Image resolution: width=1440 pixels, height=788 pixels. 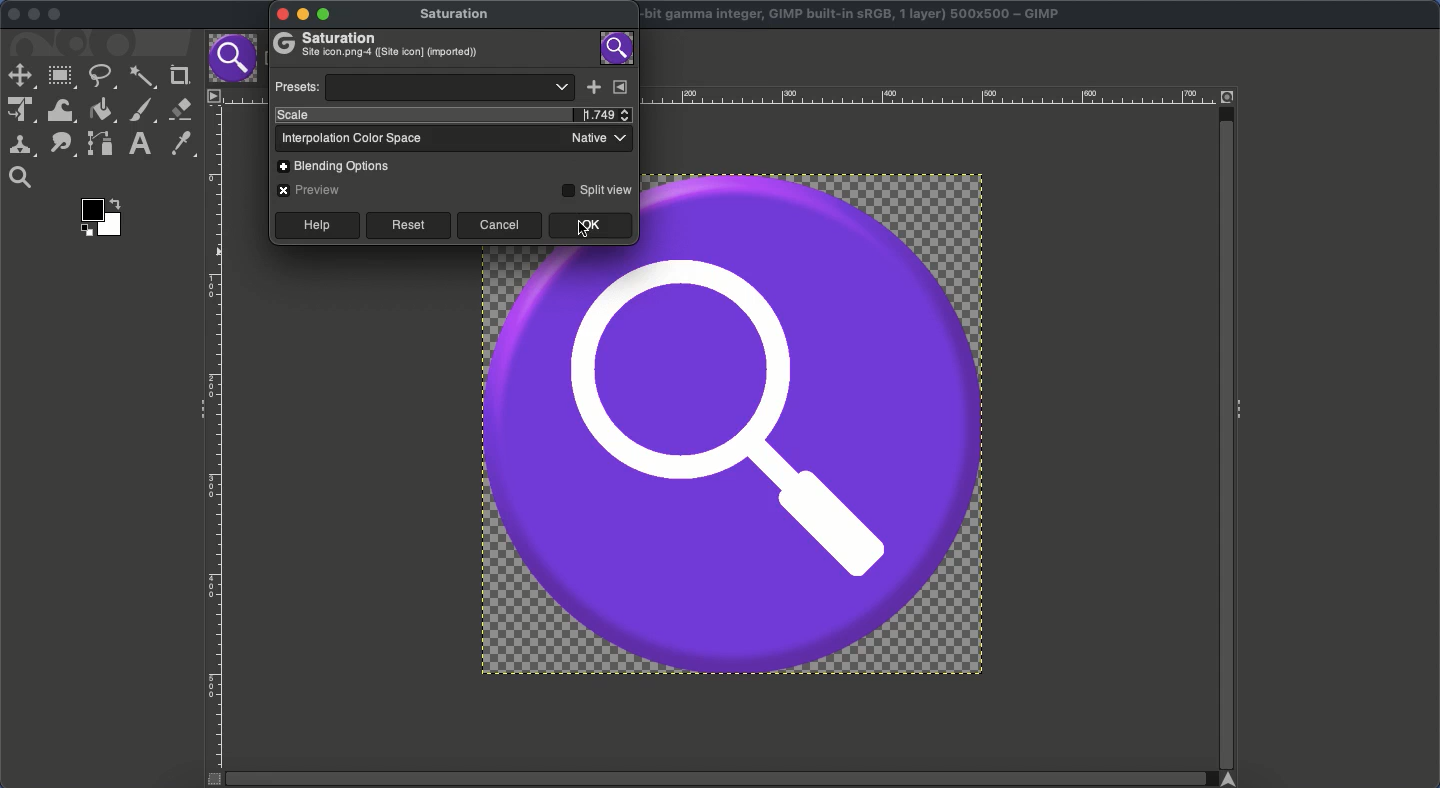 What do you see at coordinates (19, 177) in the screenshot?
I see `Maginfy` at bounding box center [19, 177].